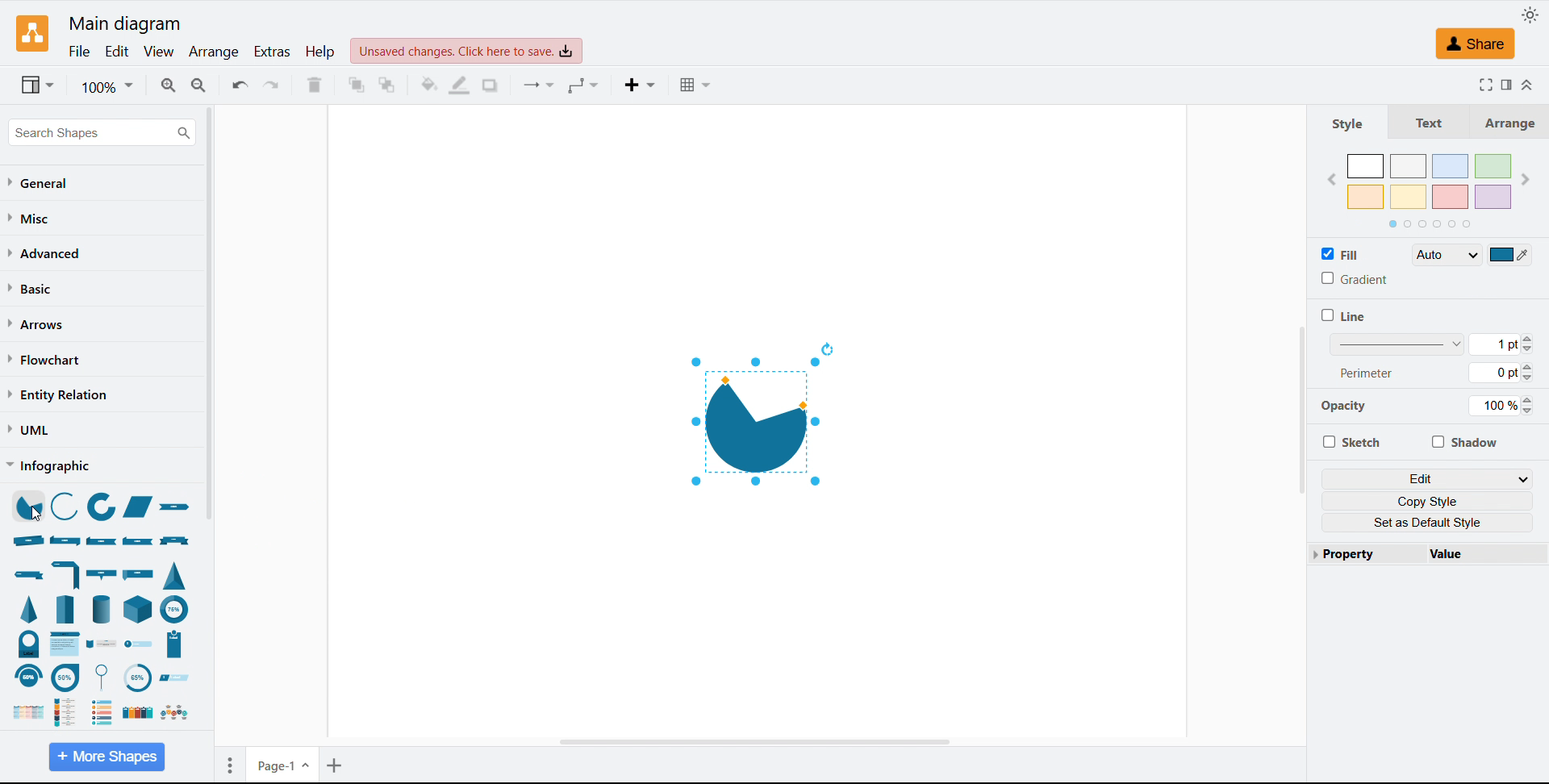 This screenshot has height=784, width=1549. Describe the element at coordinates (642, 84) in the screenshot. I see `Insert ` at that location.